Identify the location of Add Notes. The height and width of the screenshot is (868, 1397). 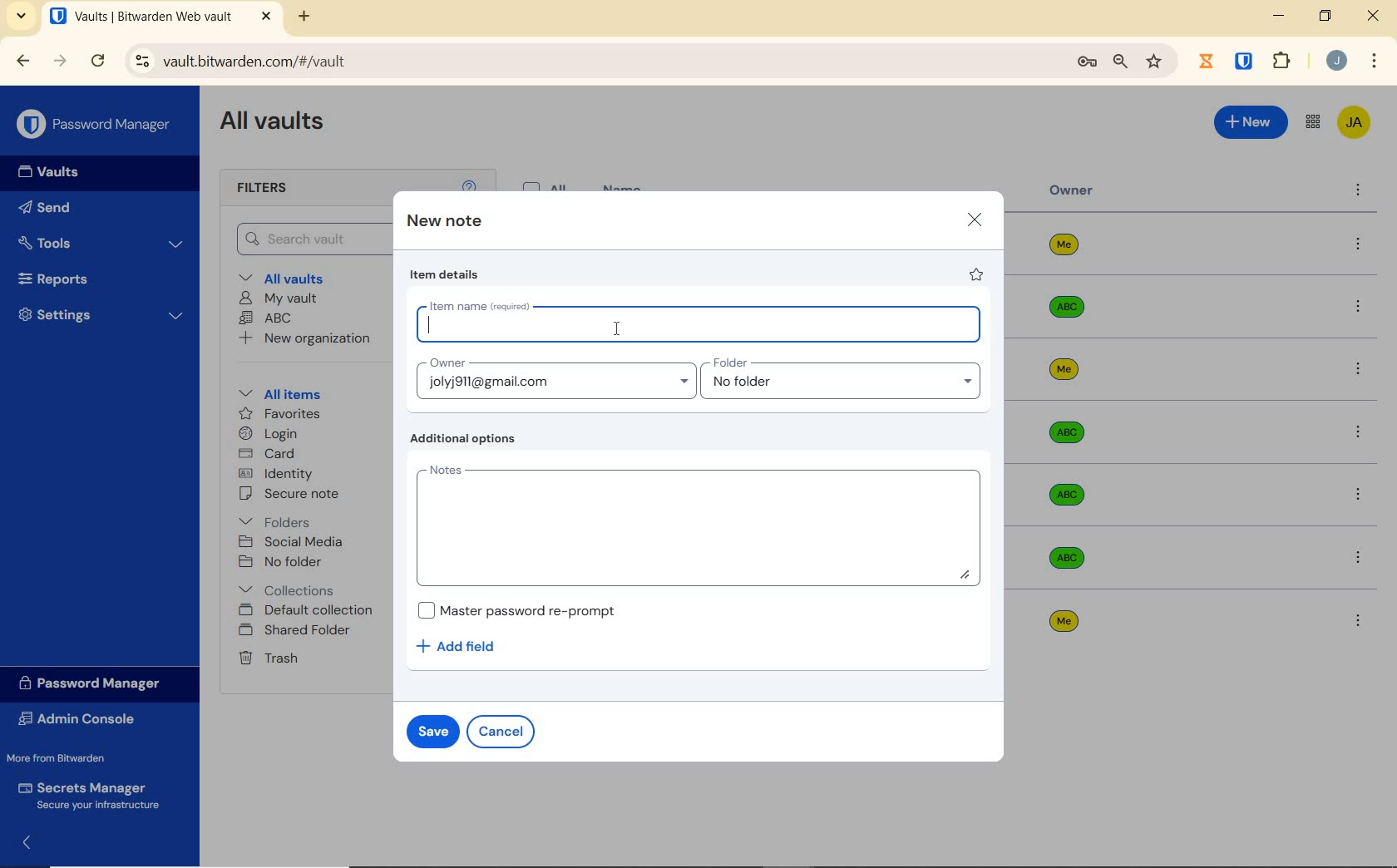
(701, 525).